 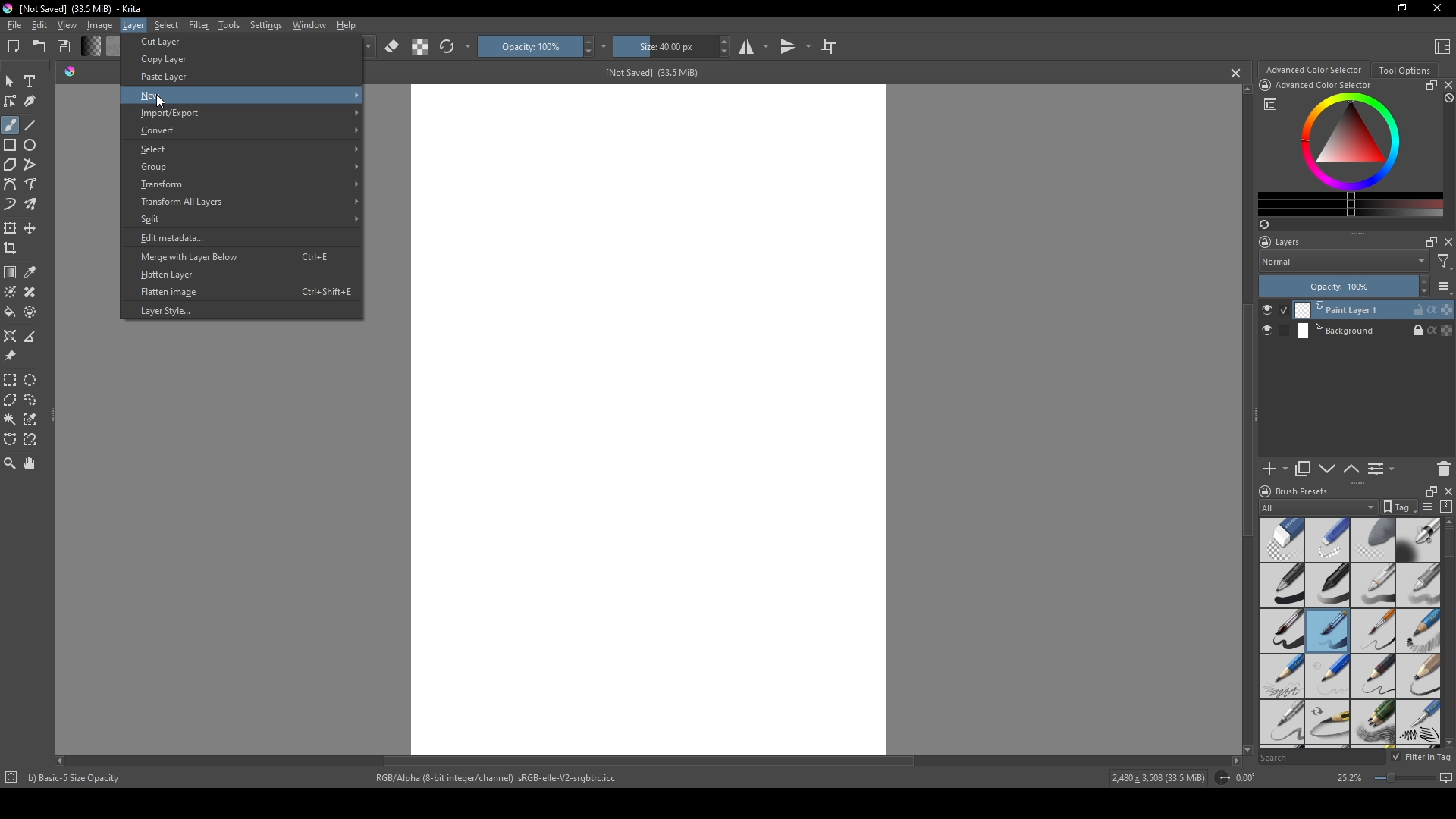 What do you see at coordinates (1427, 507) in the screenshot?
I see `list` at bounding box center [1427, 507].